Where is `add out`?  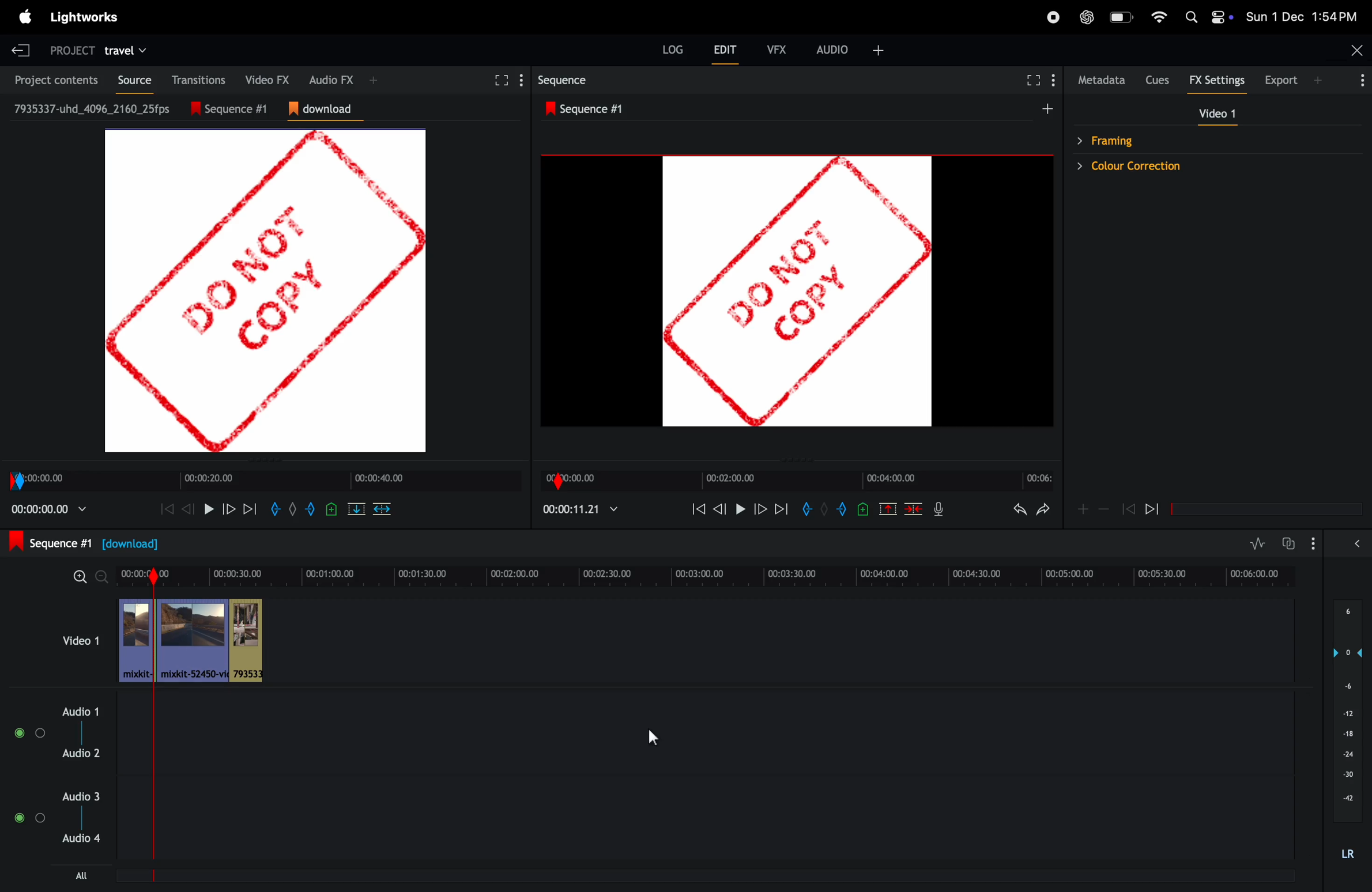 add out is located at coordinates (311, 509).